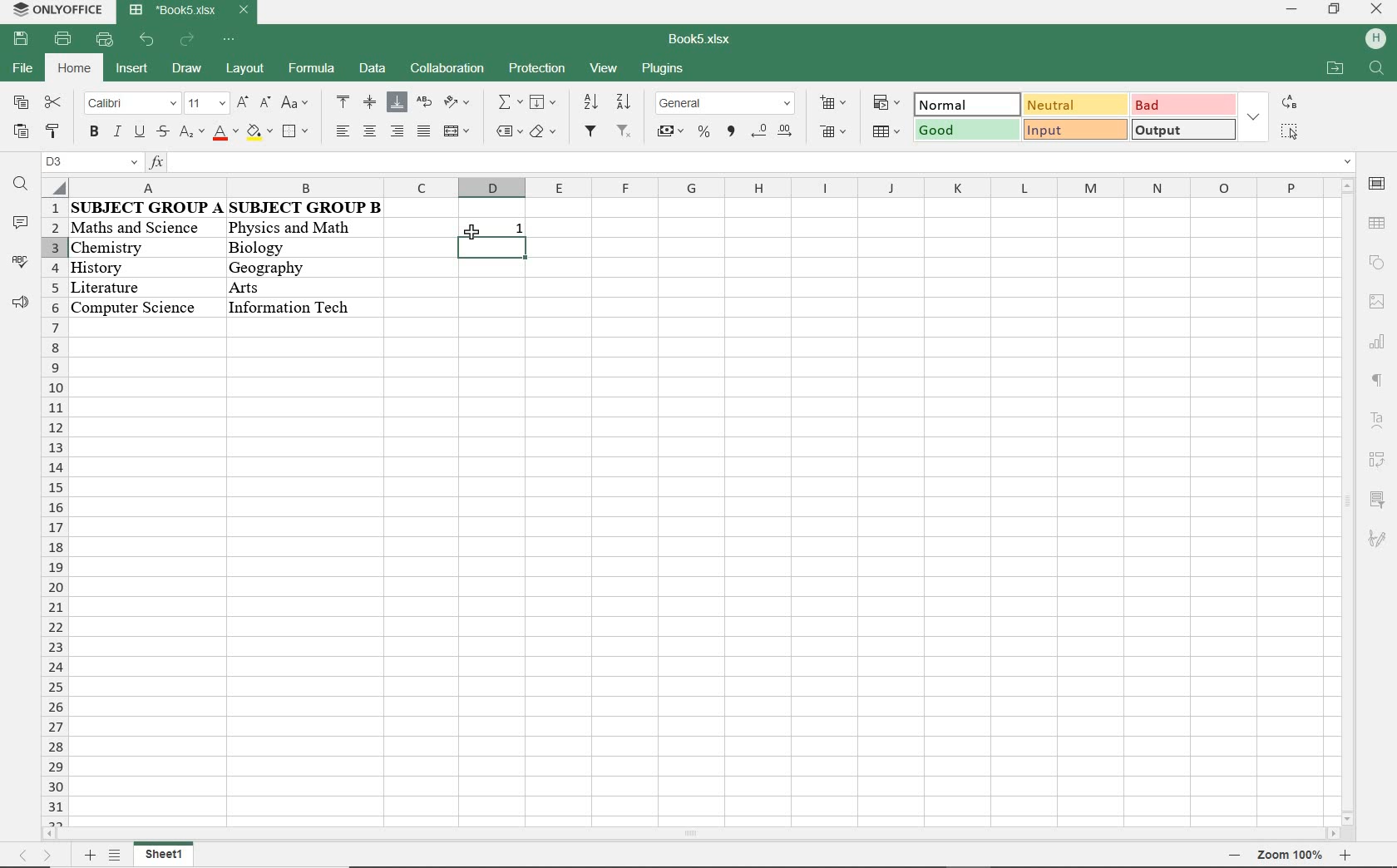 The width and height of the screenshot is (1397, 868). Describe the element at coordinates (173, 856) in the screenshot. I see `sheet 1` at that location.